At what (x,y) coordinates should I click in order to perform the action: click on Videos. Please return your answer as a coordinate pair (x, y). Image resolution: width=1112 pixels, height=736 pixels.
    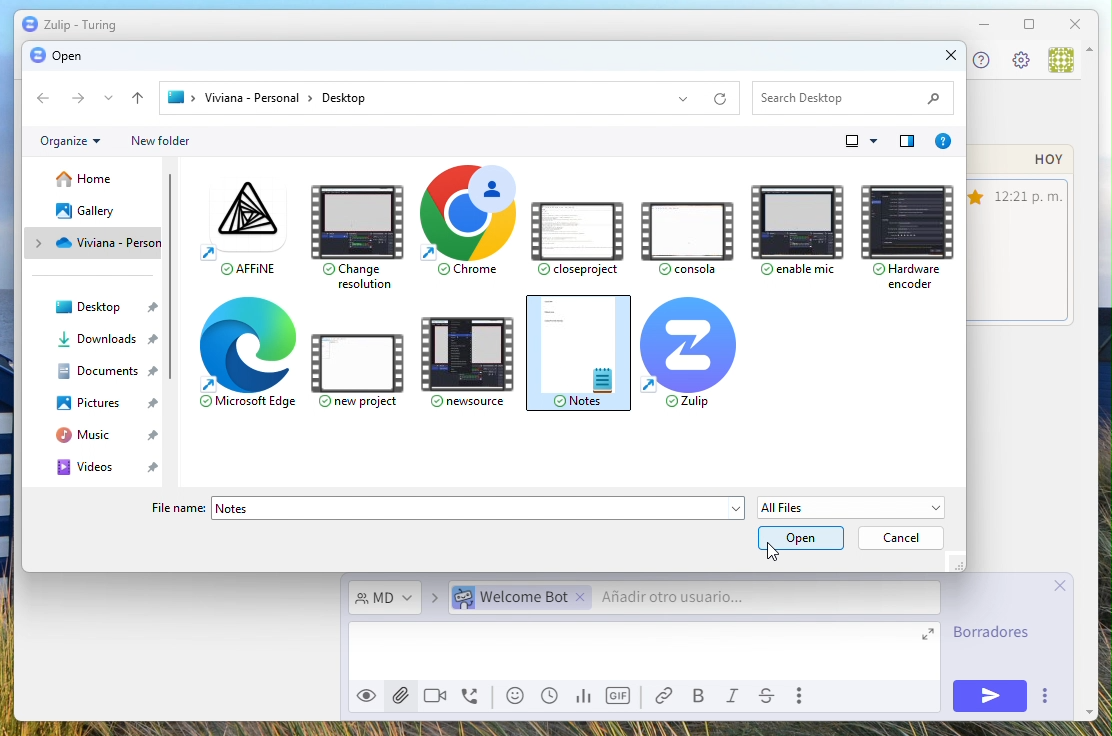
    Looking at the image, I should click on (112, 467).